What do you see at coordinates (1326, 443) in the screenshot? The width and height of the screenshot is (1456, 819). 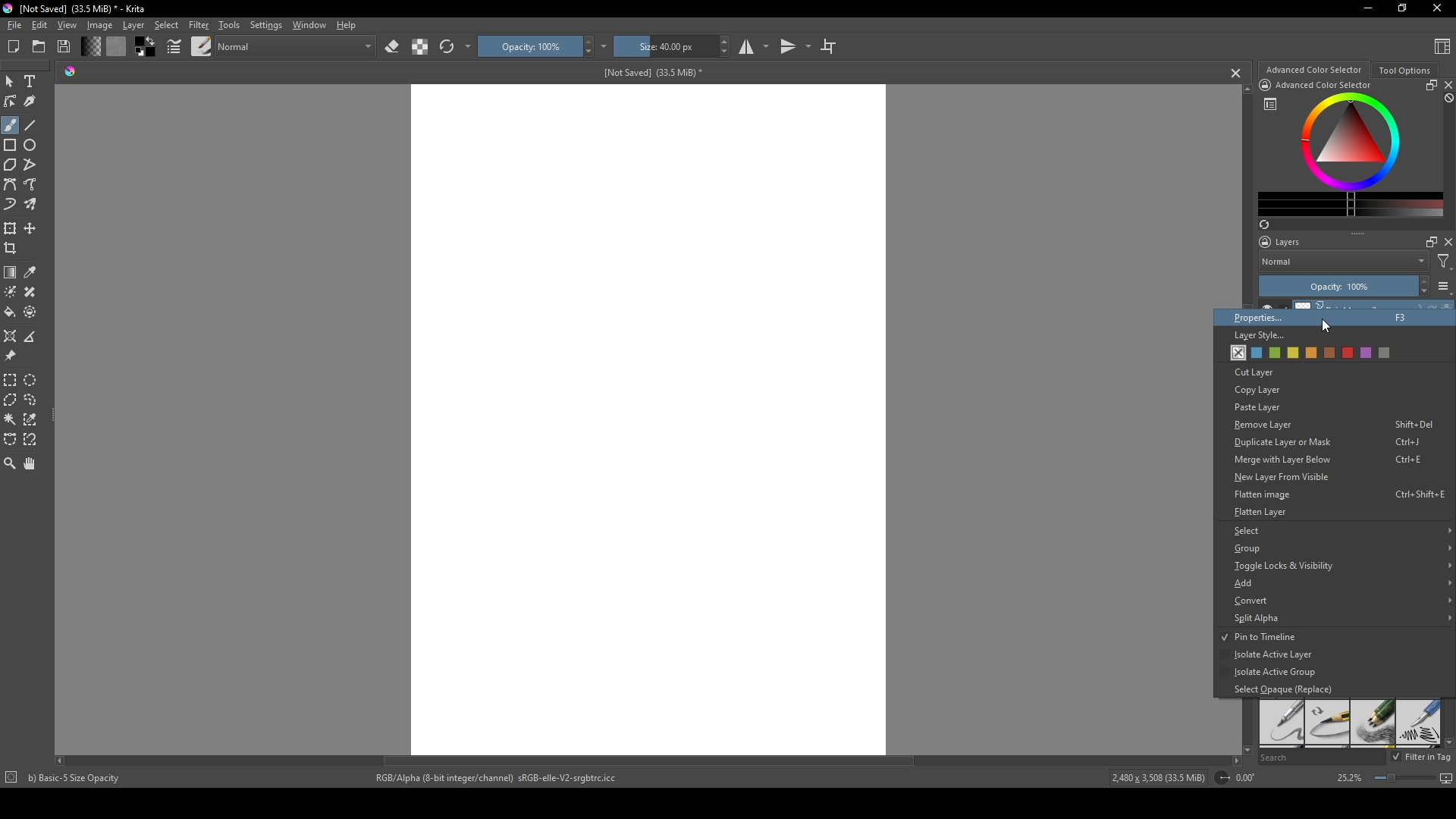 I see `Duplicate Layer or Mask` at bounding box center [1326, 443].